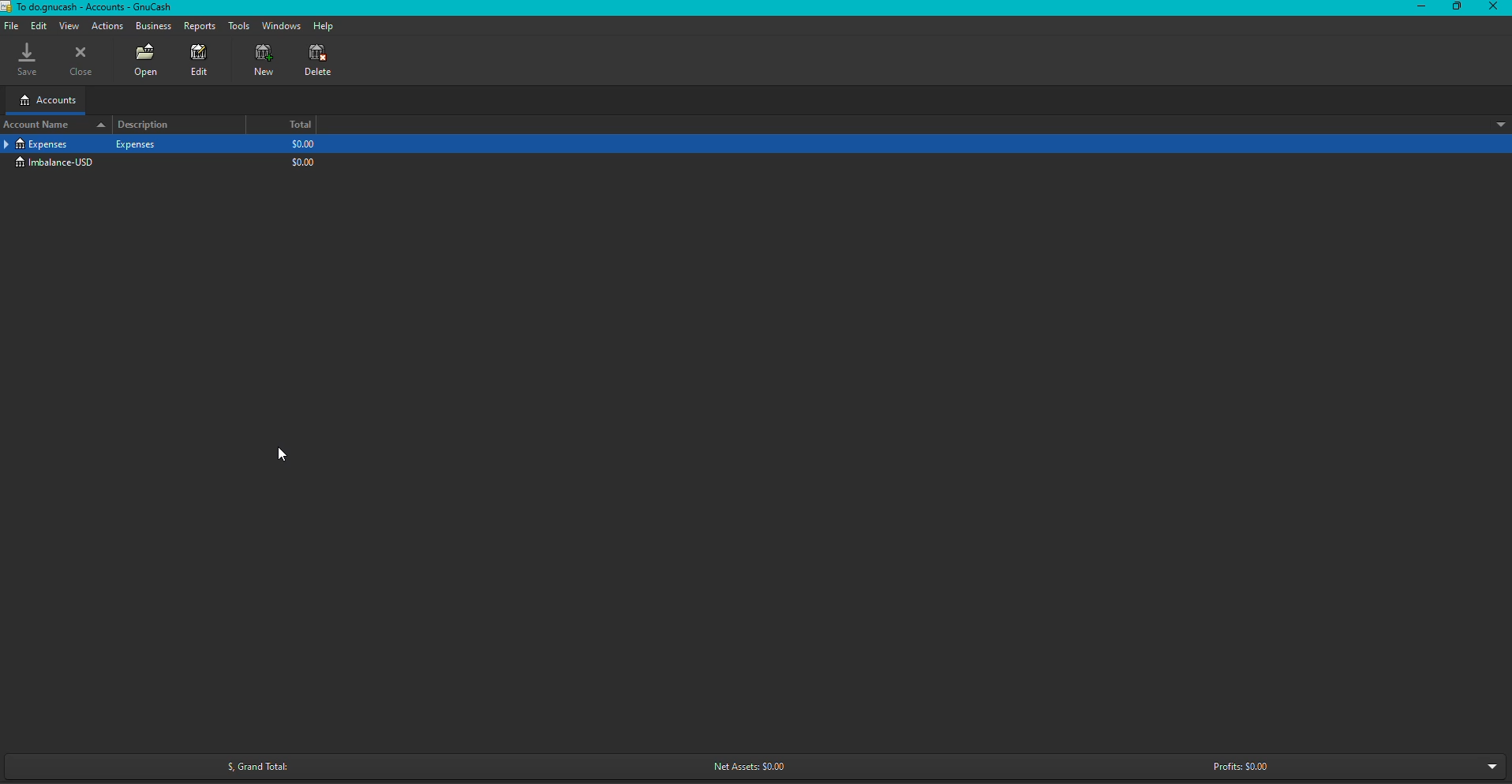  I want to click on Account name, so click(39, 125).